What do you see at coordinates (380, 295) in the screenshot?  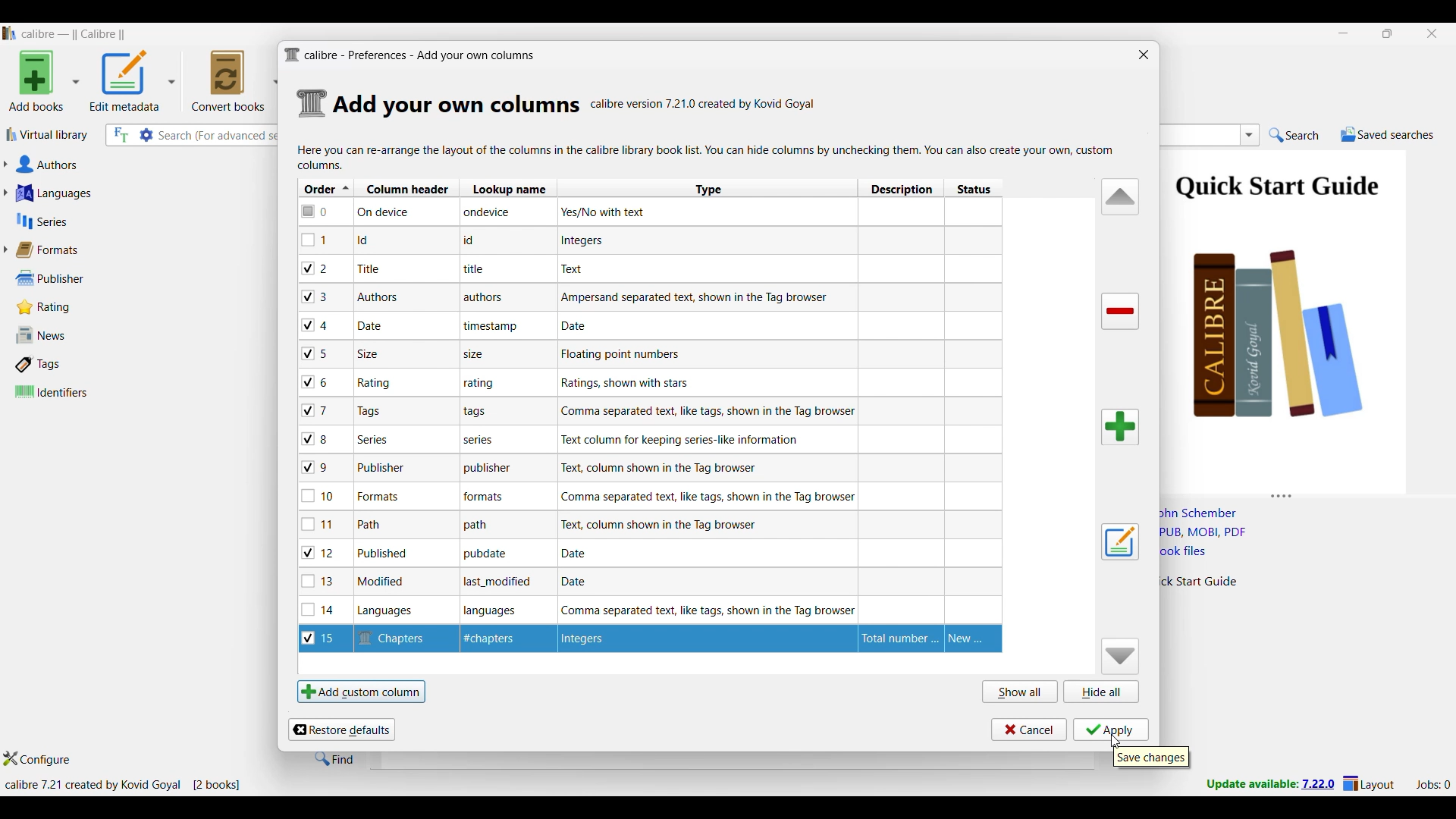 I see `Note` at bounding box center [380, 295].